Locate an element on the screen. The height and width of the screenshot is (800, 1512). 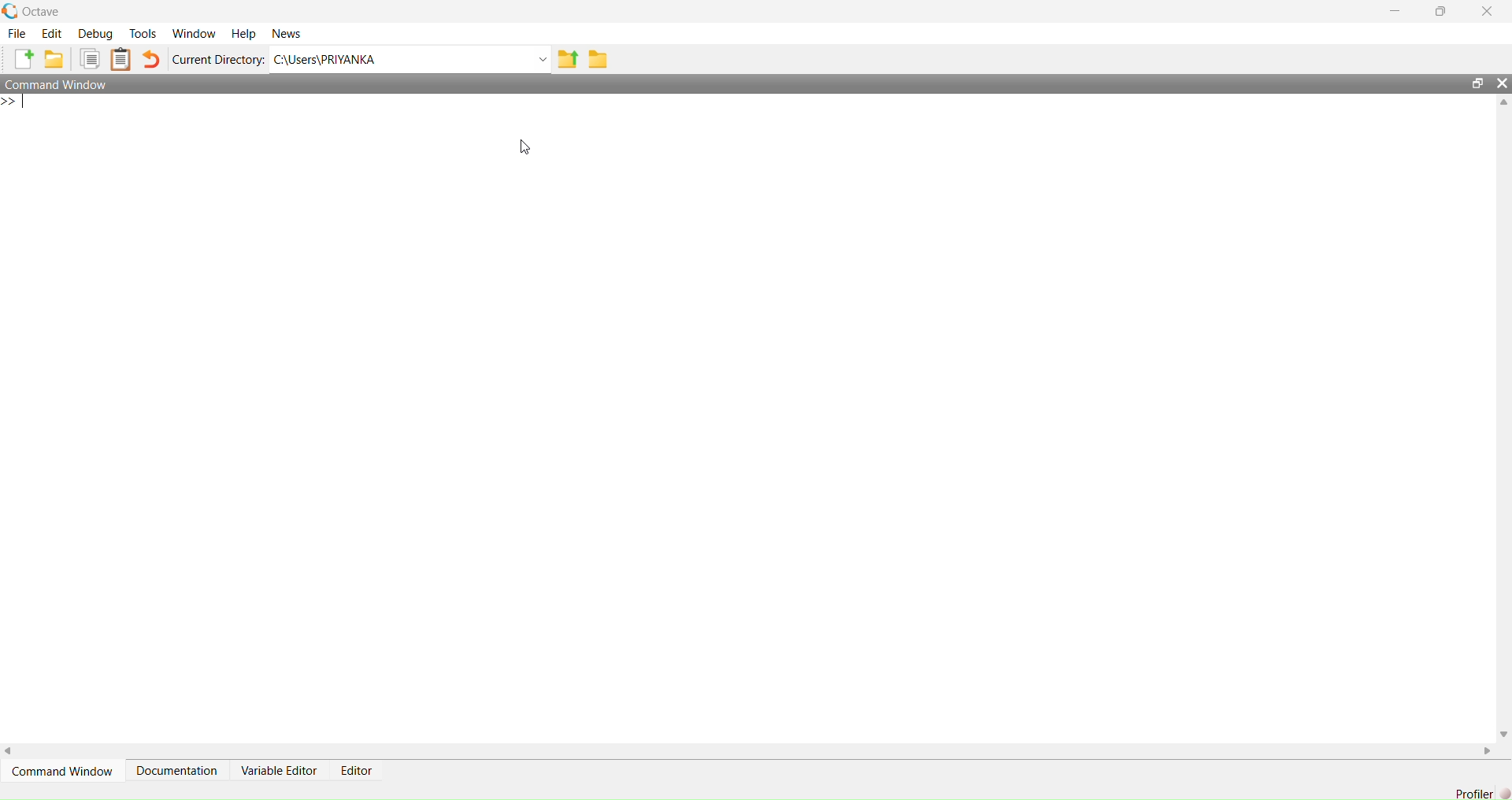
Minimize is located at coordinates (1392, 11).